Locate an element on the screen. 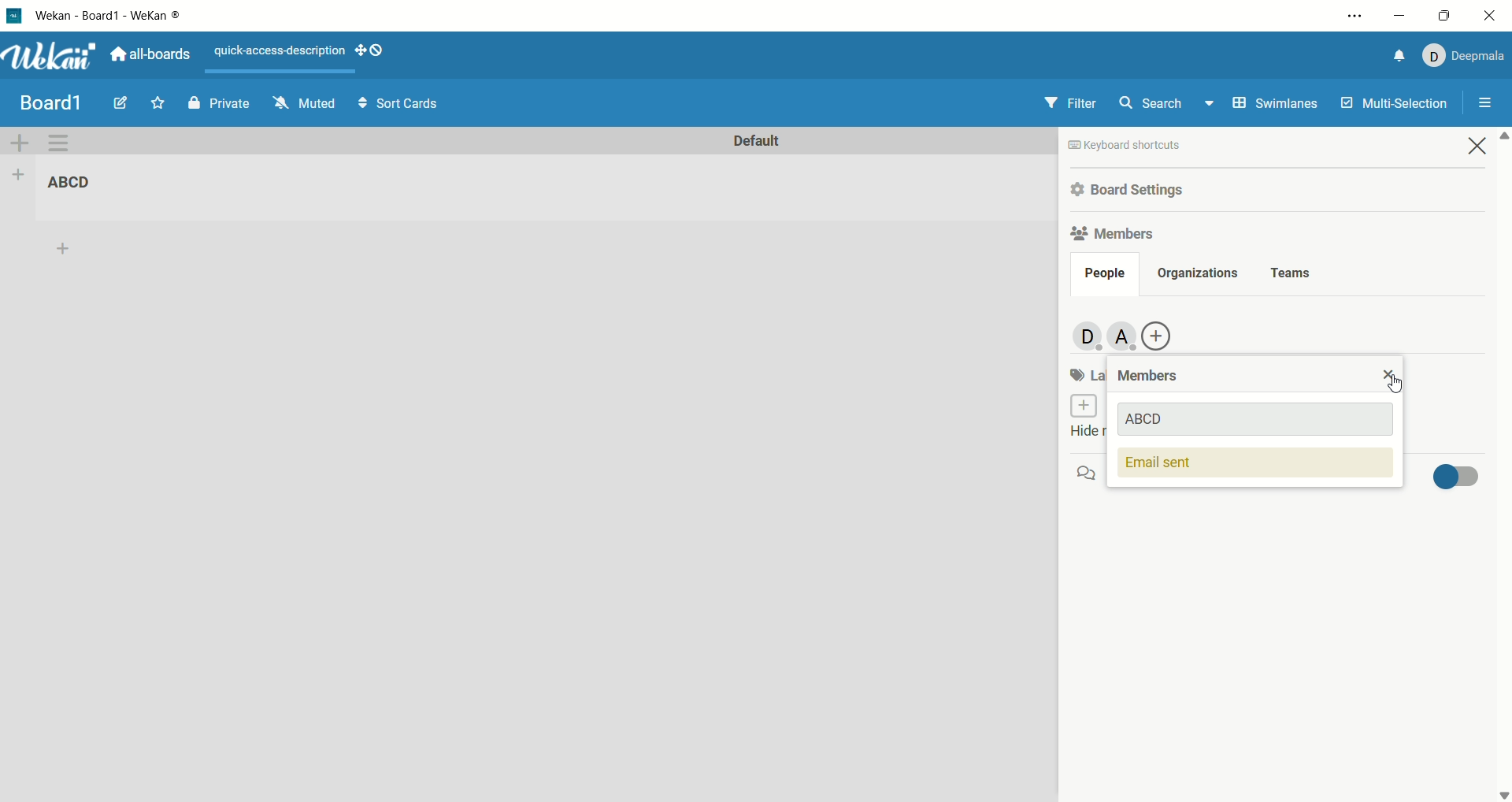 The image size is (1512, 802). title is located at coordinates (111, 15).